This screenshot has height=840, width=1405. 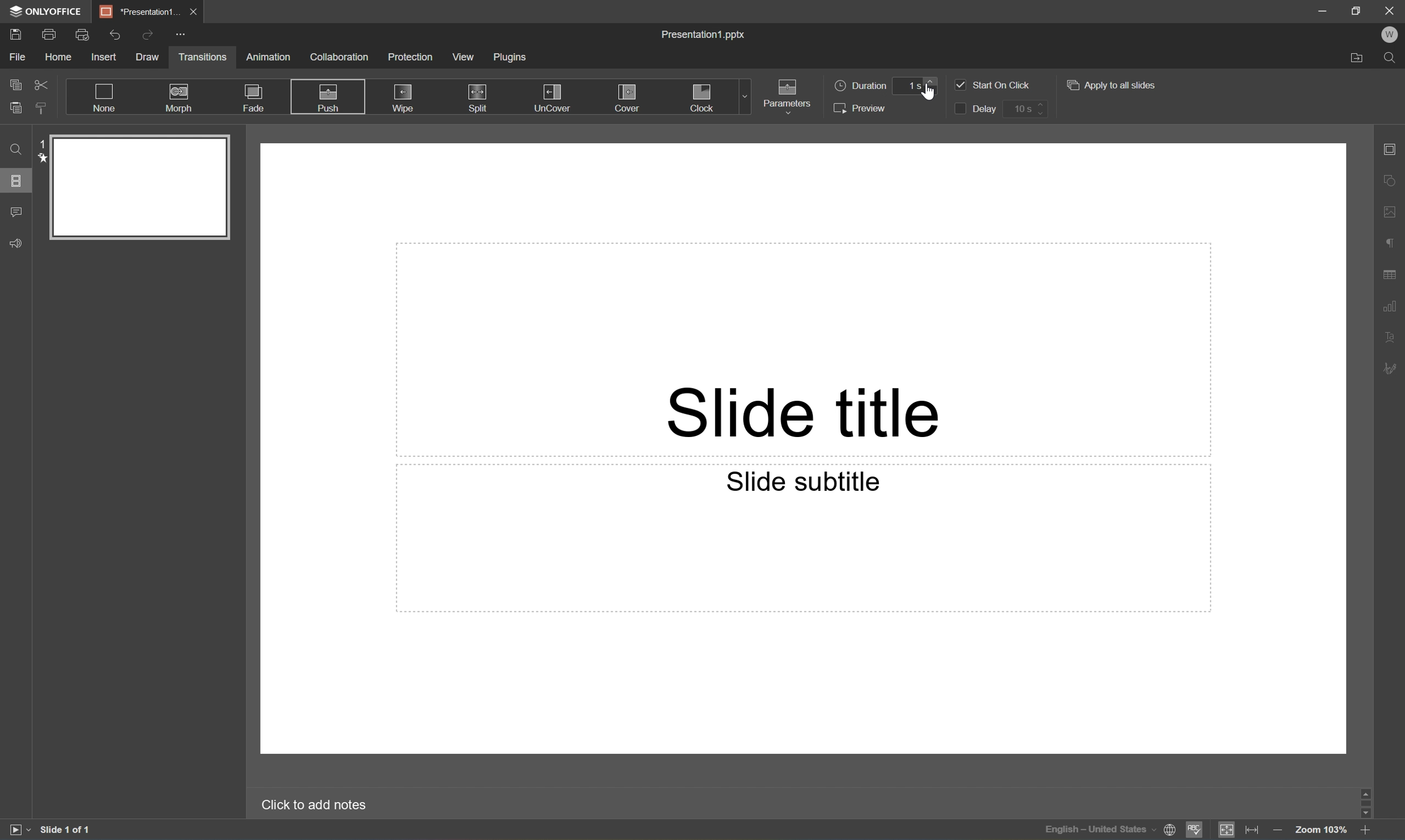 I want to click on Cover, so click(x=630, y=97).